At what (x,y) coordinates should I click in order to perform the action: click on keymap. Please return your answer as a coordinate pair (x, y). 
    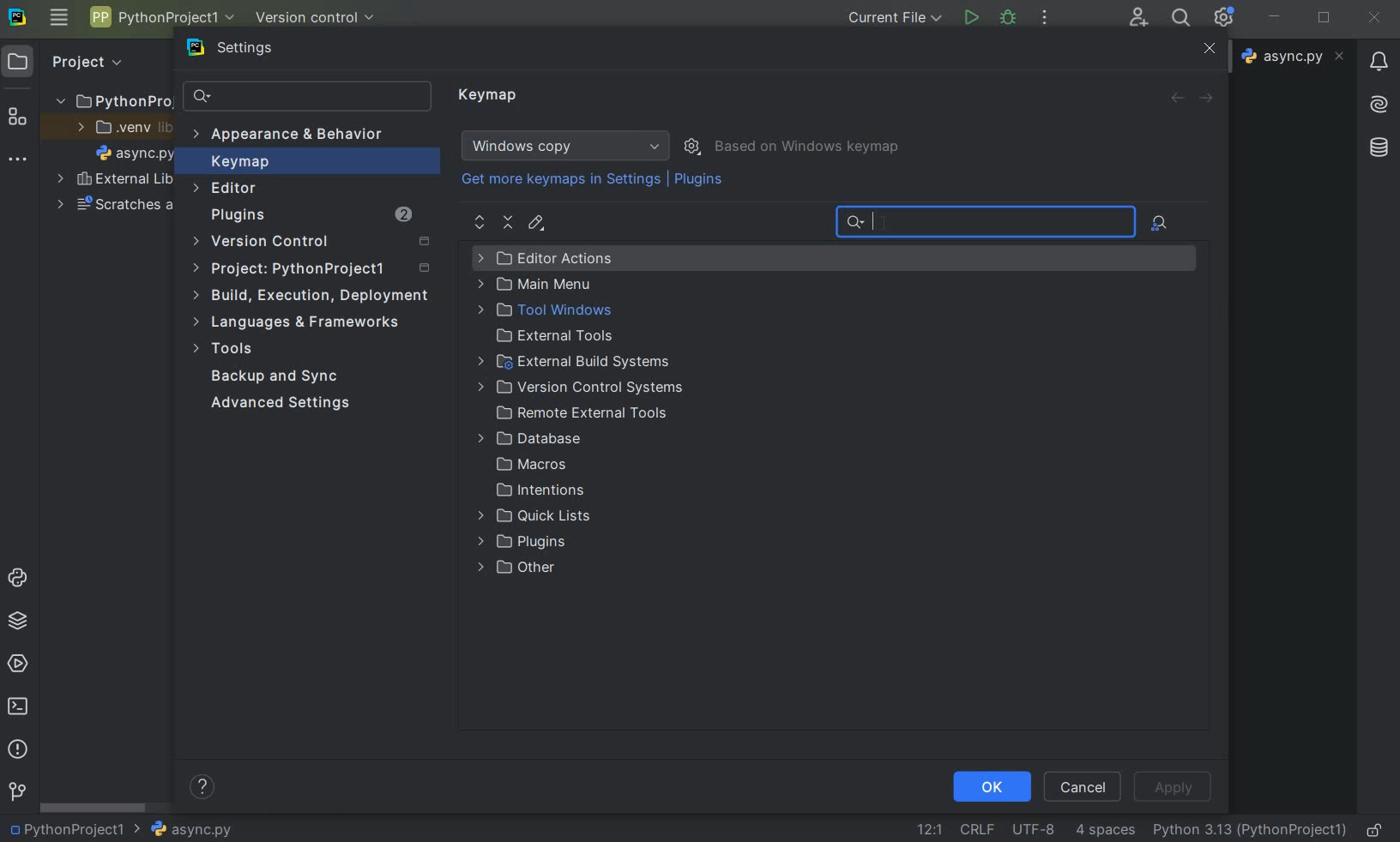
    Looking at the image, I should click on (490, 96).